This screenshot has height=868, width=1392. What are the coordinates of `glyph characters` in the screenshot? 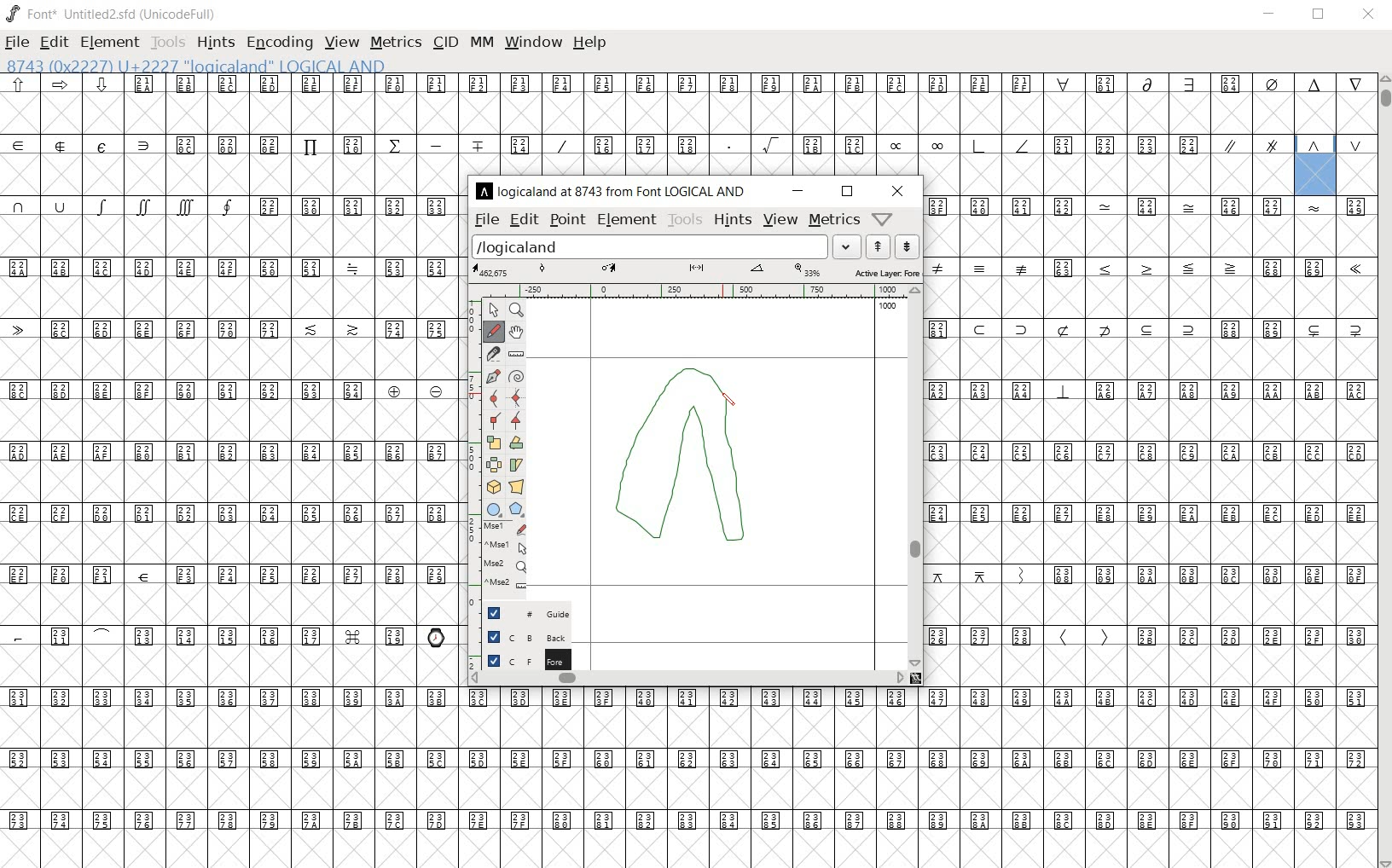 It's located at (1150, 440).